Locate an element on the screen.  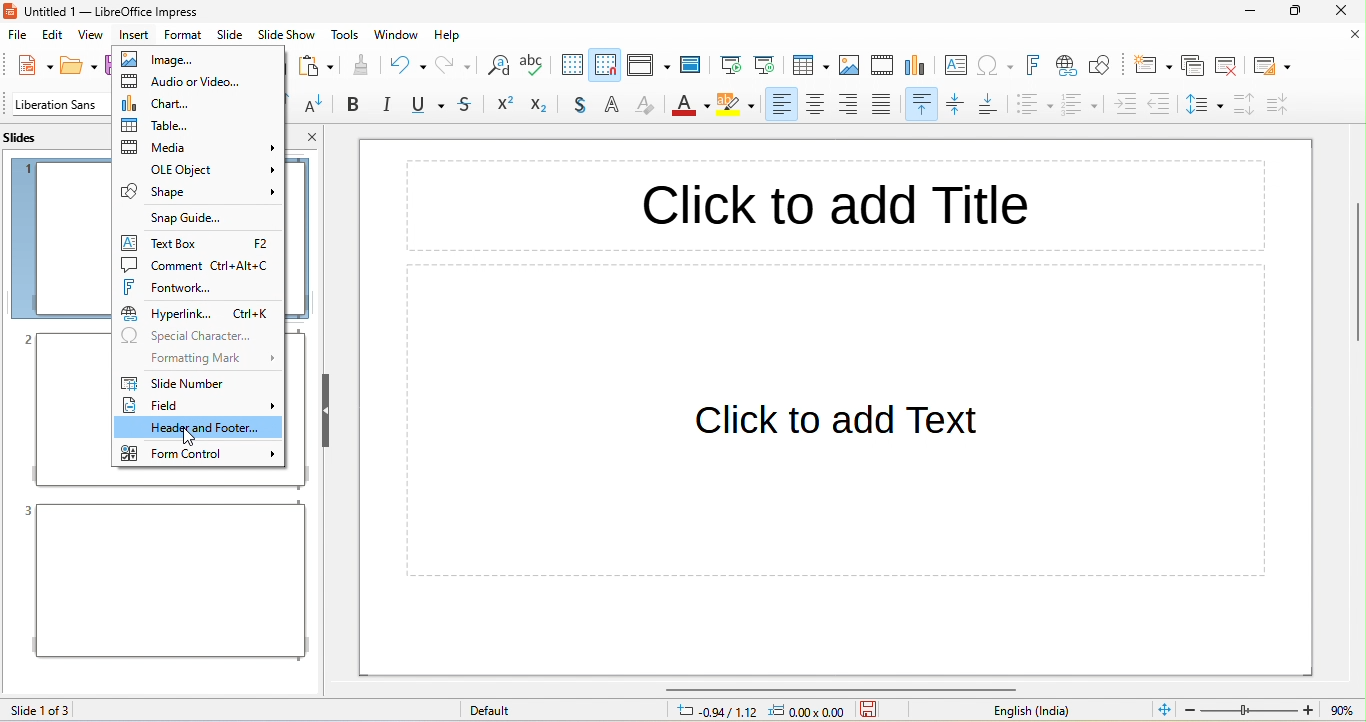
view is located at coordinates (90, 38).